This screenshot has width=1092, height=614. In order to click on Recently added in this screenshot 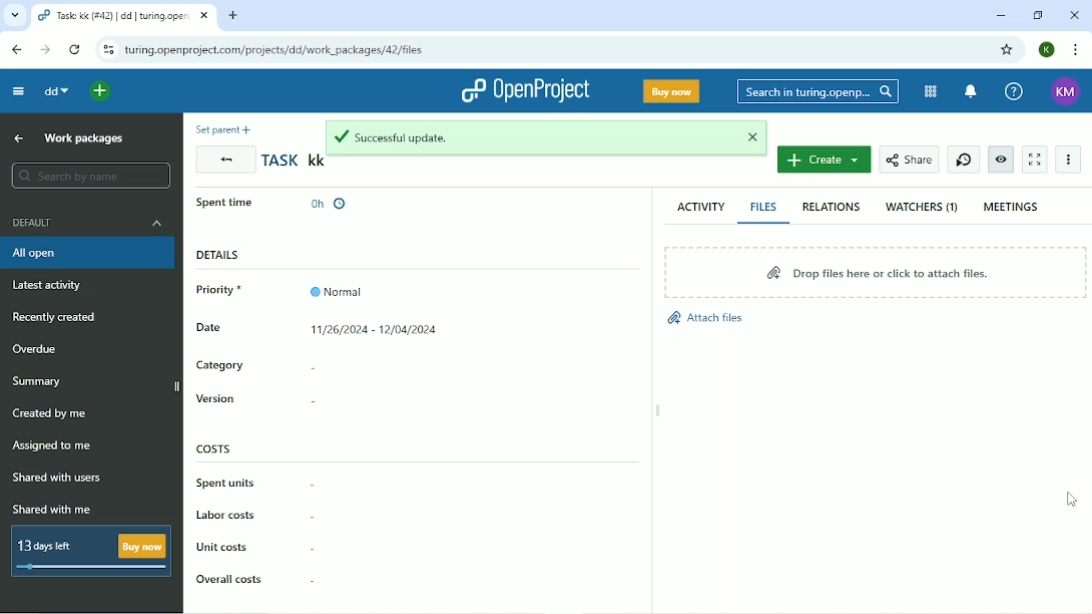, I will do `click(55, 318)`.